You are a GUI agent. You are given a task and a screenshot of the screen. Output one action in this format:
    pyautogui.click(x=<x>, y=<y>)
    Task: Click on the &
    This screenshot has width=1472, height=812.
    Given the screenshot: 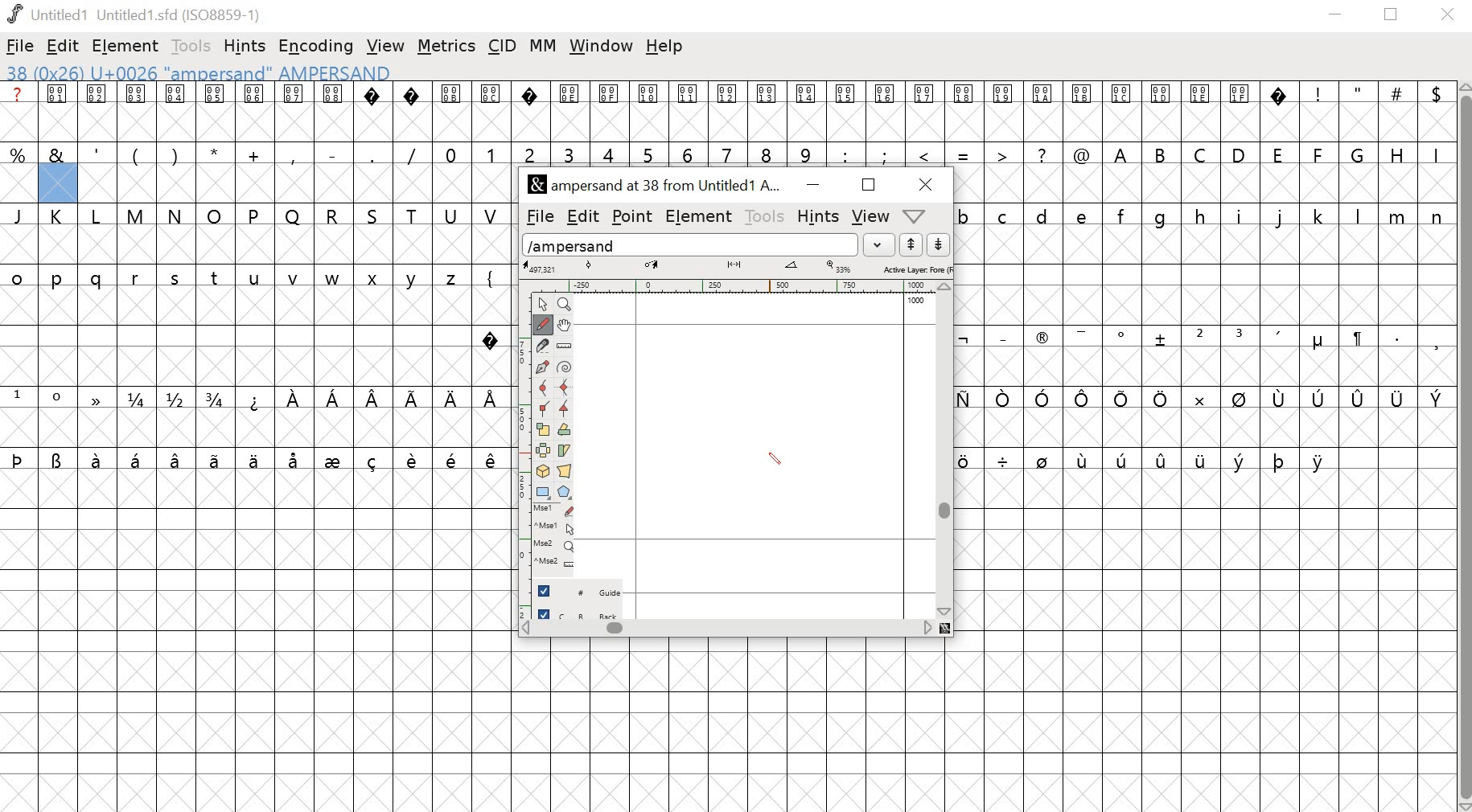 What is the action you would take?
    pyautogui.click(x=57, y=154)
    